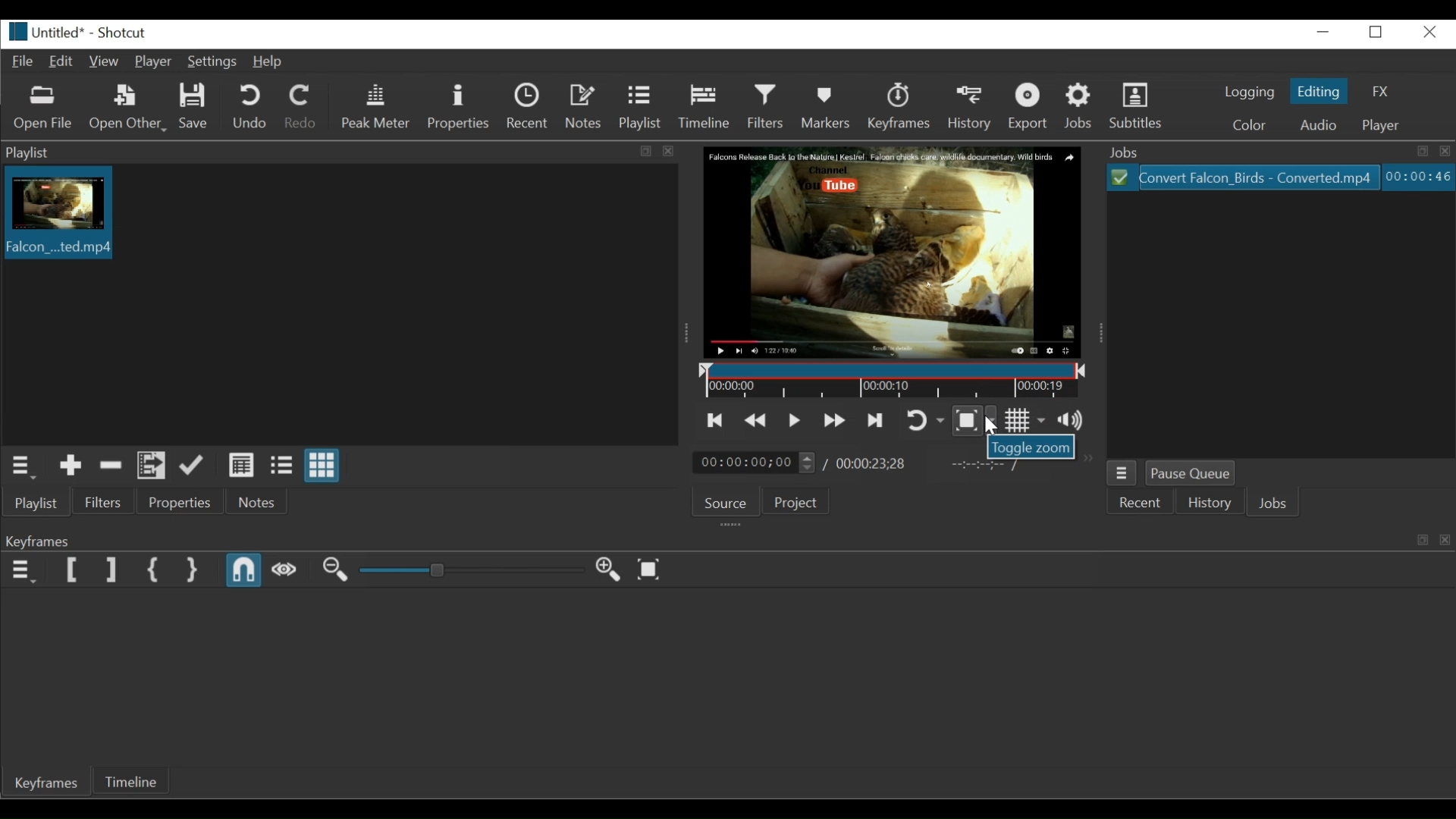  Describe the element at coordinates (893, 380) in the screenshot. I see `Timeline` at that location.